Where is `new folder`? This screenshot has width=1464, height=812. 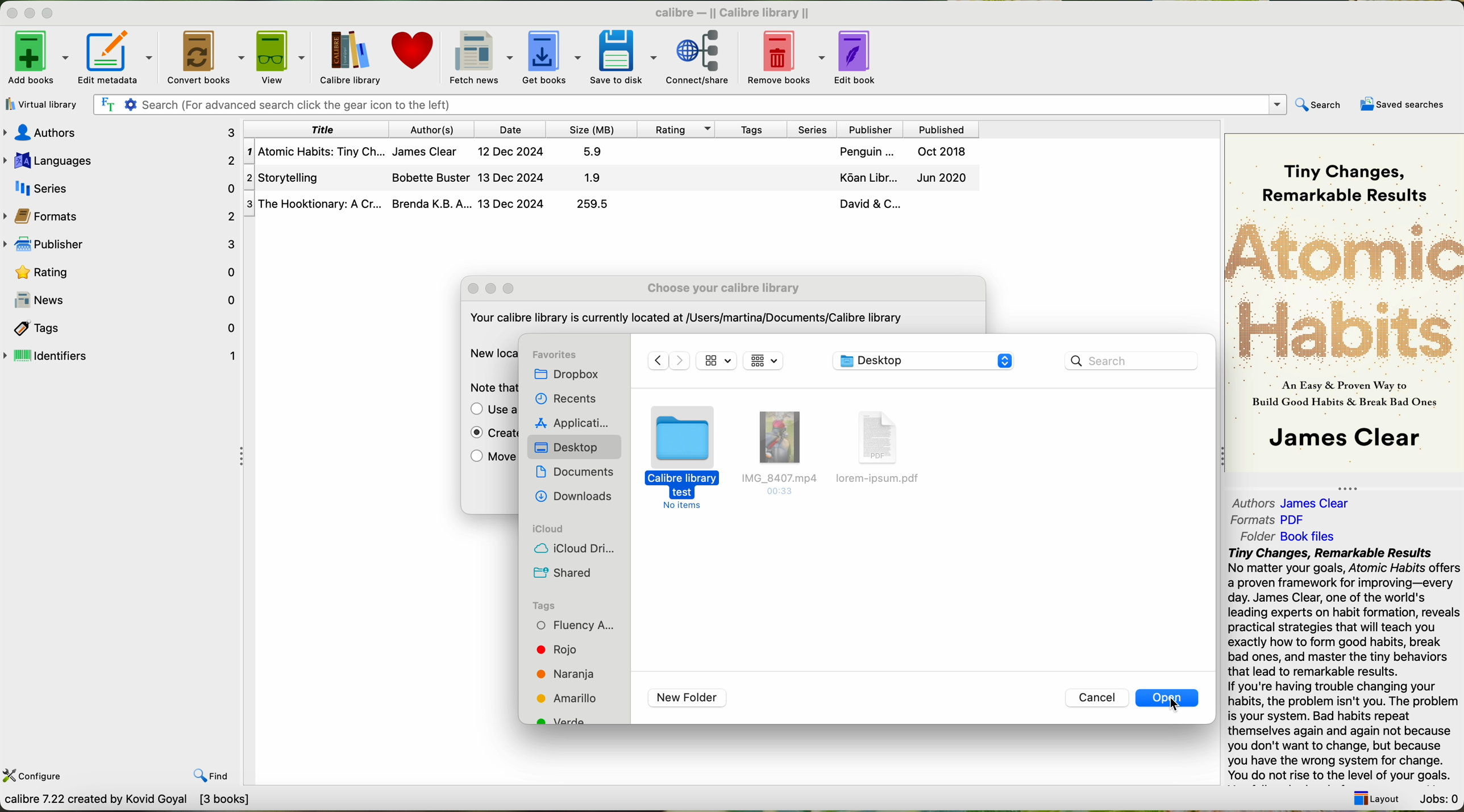 new folder is located at coordinates (687, 698).